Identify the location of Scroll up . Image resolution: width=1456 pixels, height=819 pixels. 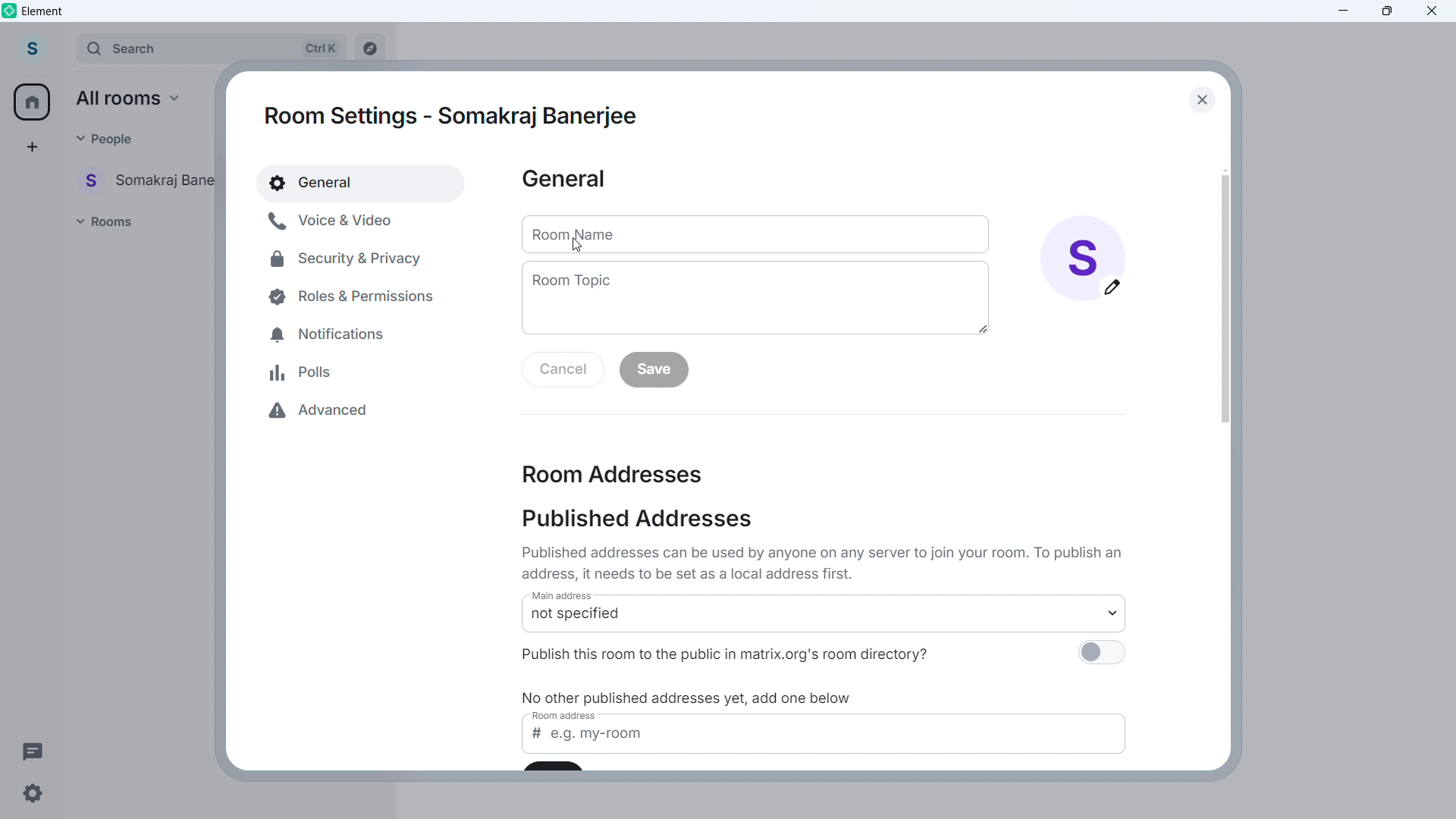
(1225, 169).